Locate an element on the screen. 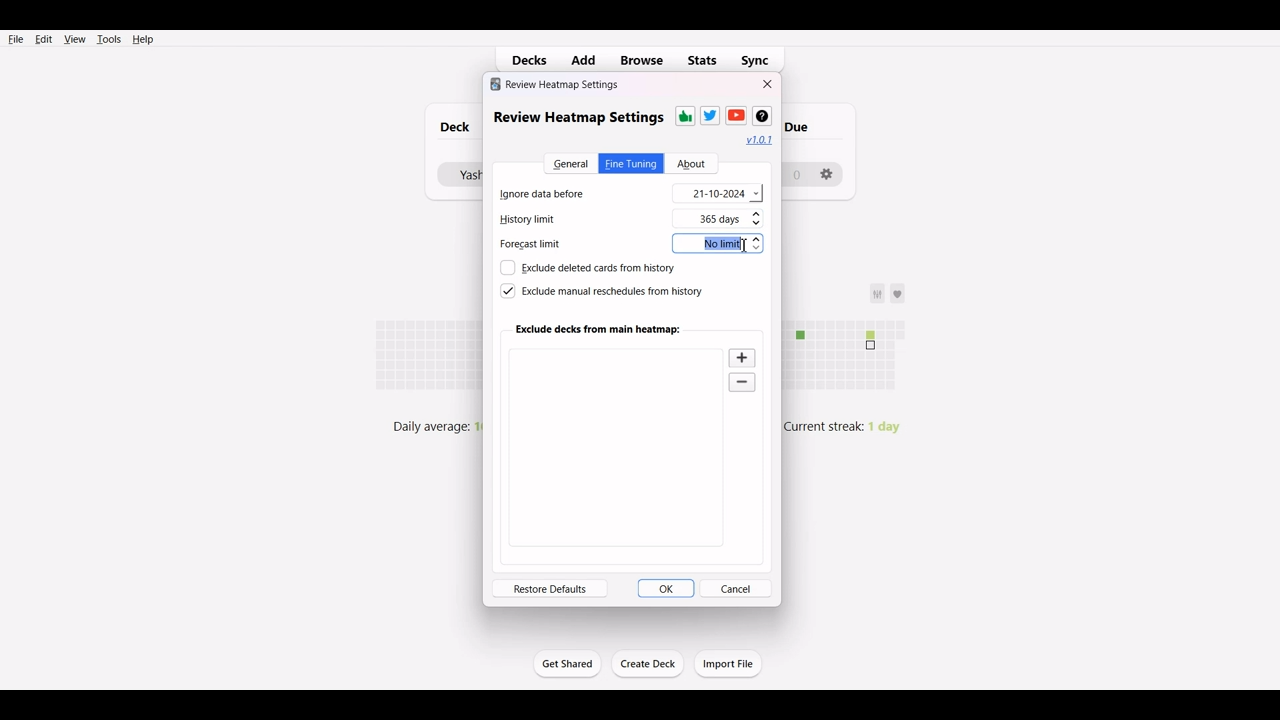 The height and width of the screenshot is (720, 1280). Help is located at coordinates (142, 39).